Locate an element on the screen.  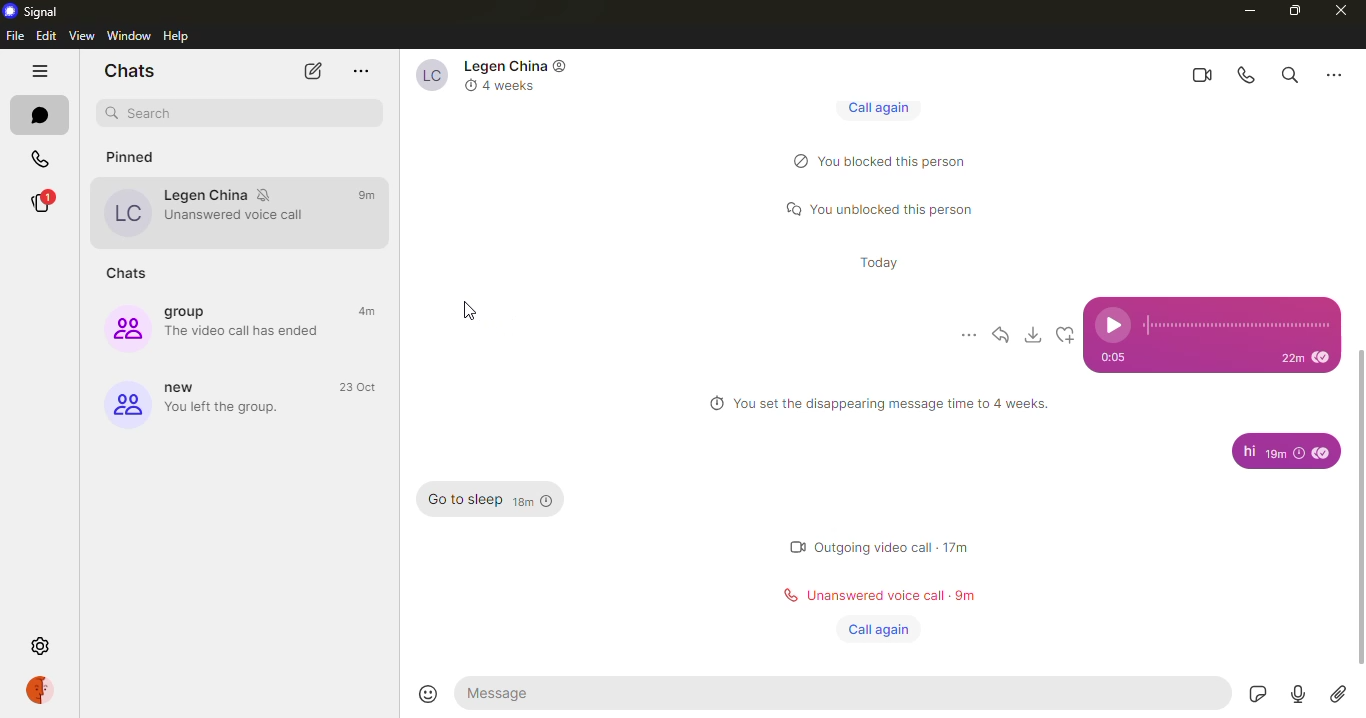
download is located at coordinates (1035, 335).